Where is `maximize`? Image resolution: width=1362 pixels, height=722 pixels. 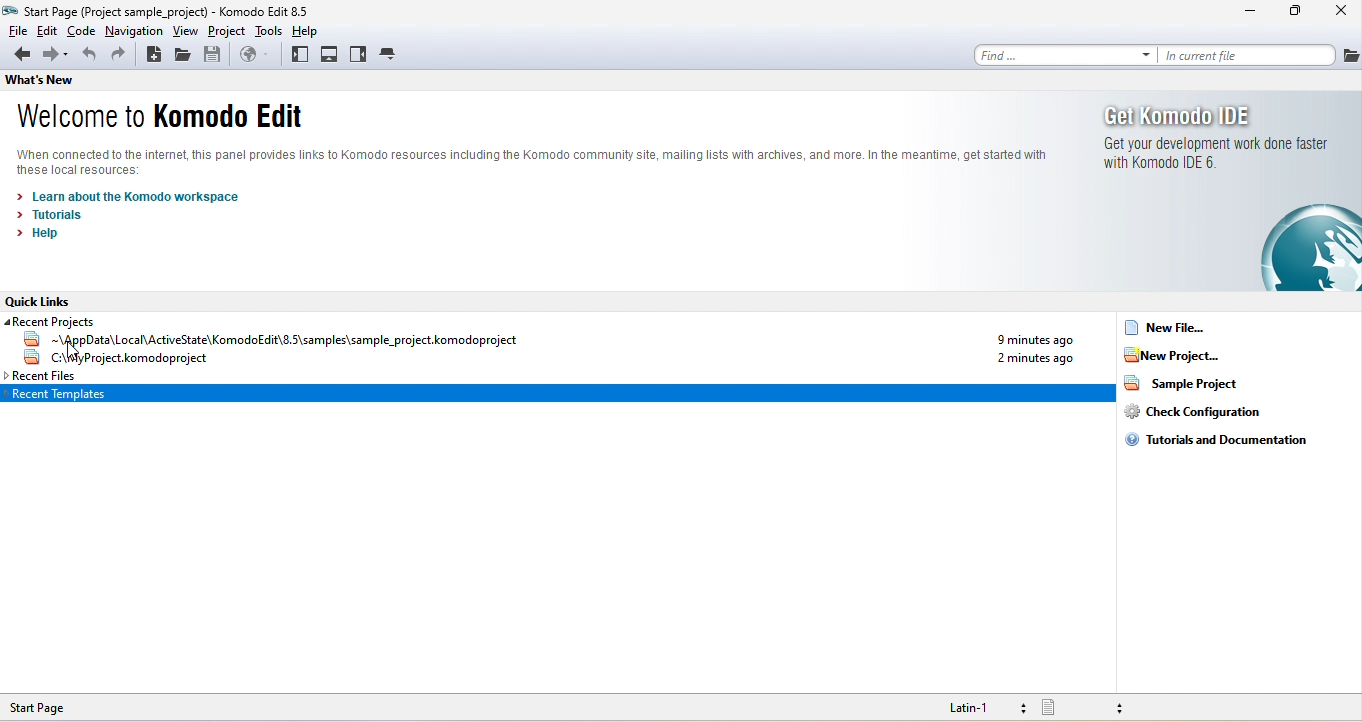
maximize is located at coordinates (1293, 13).